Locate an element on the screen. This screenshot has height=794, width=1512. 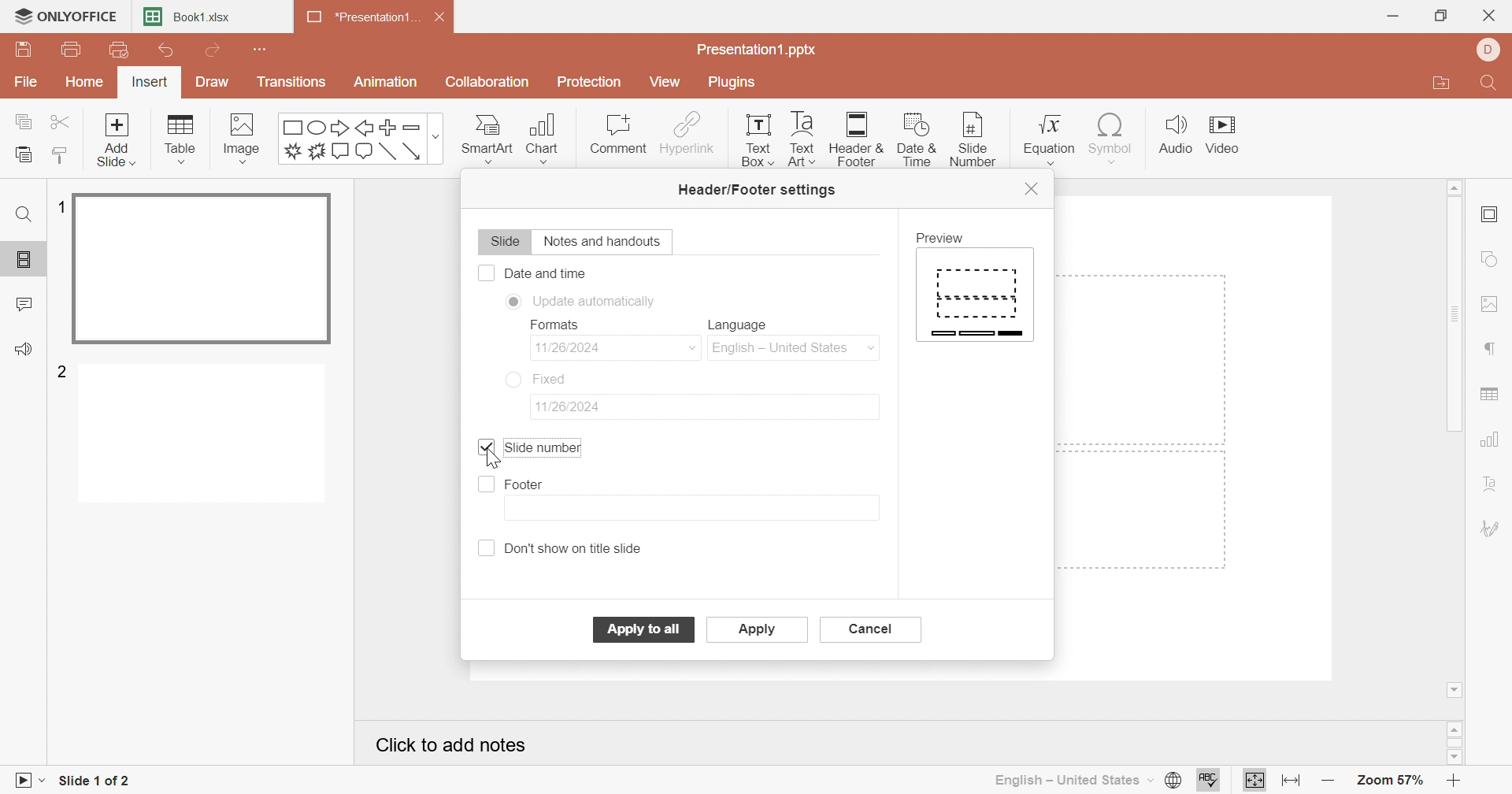
Set document language is located at coordinates (1171, 781).